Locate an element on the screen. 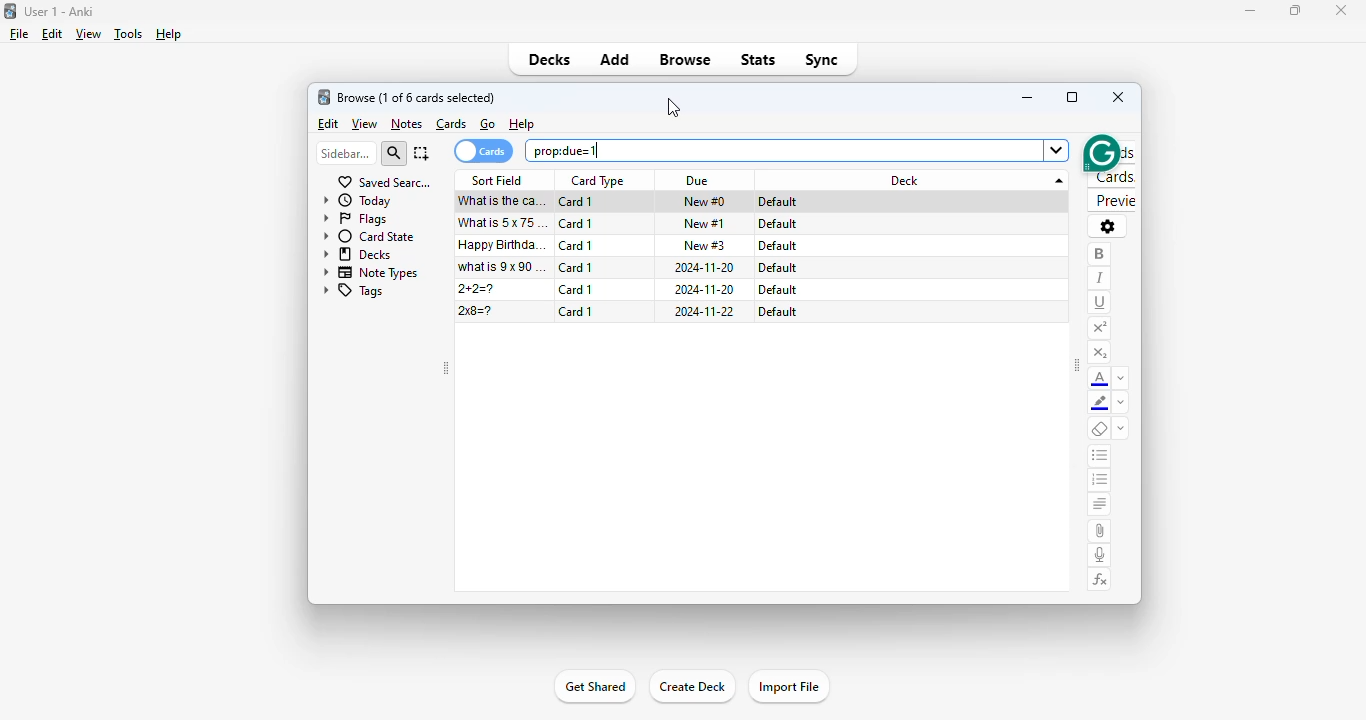  card 1 is located at coordinates (577, 245).